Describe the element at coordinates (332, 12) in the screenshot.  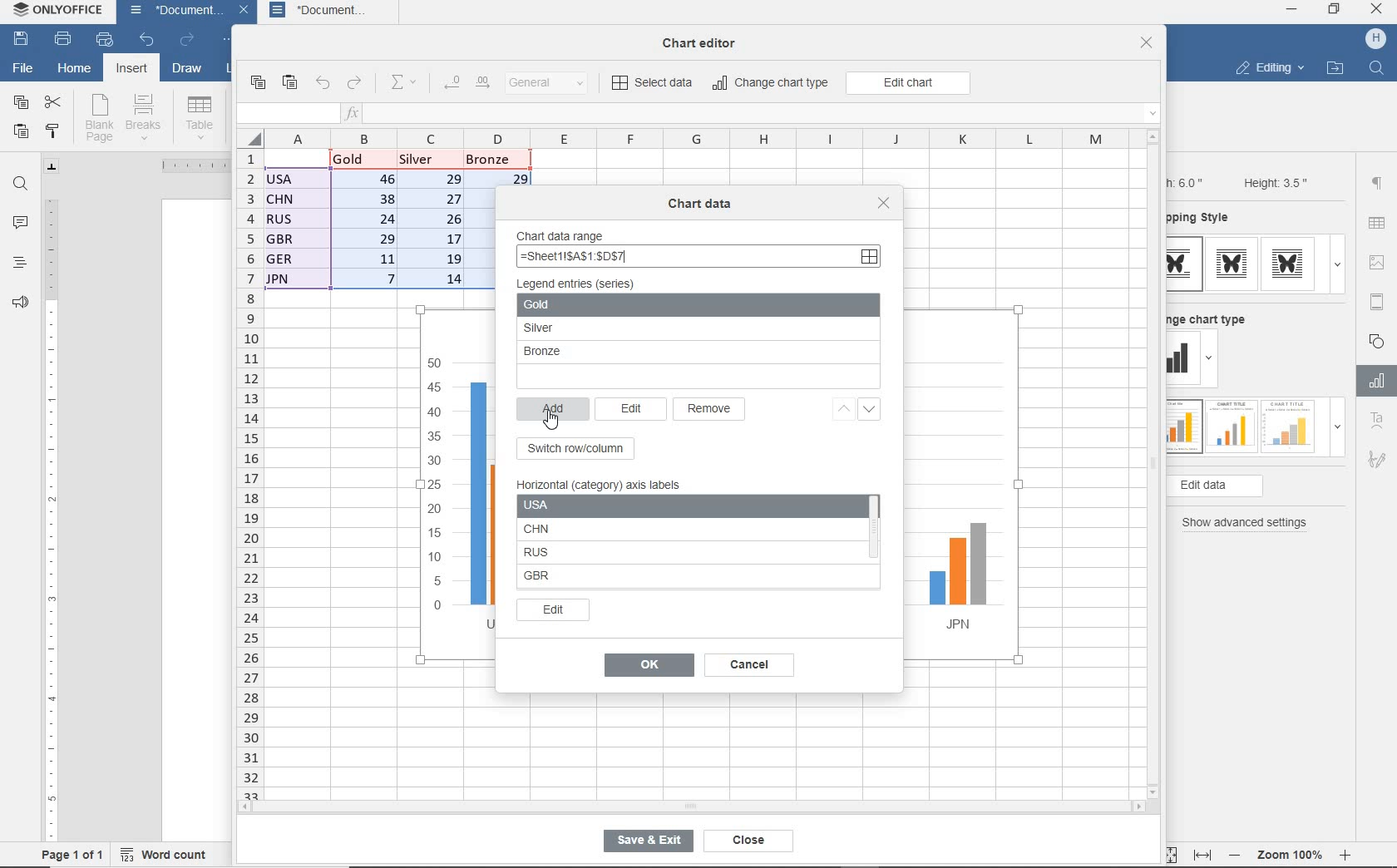
I see `document` at that location.